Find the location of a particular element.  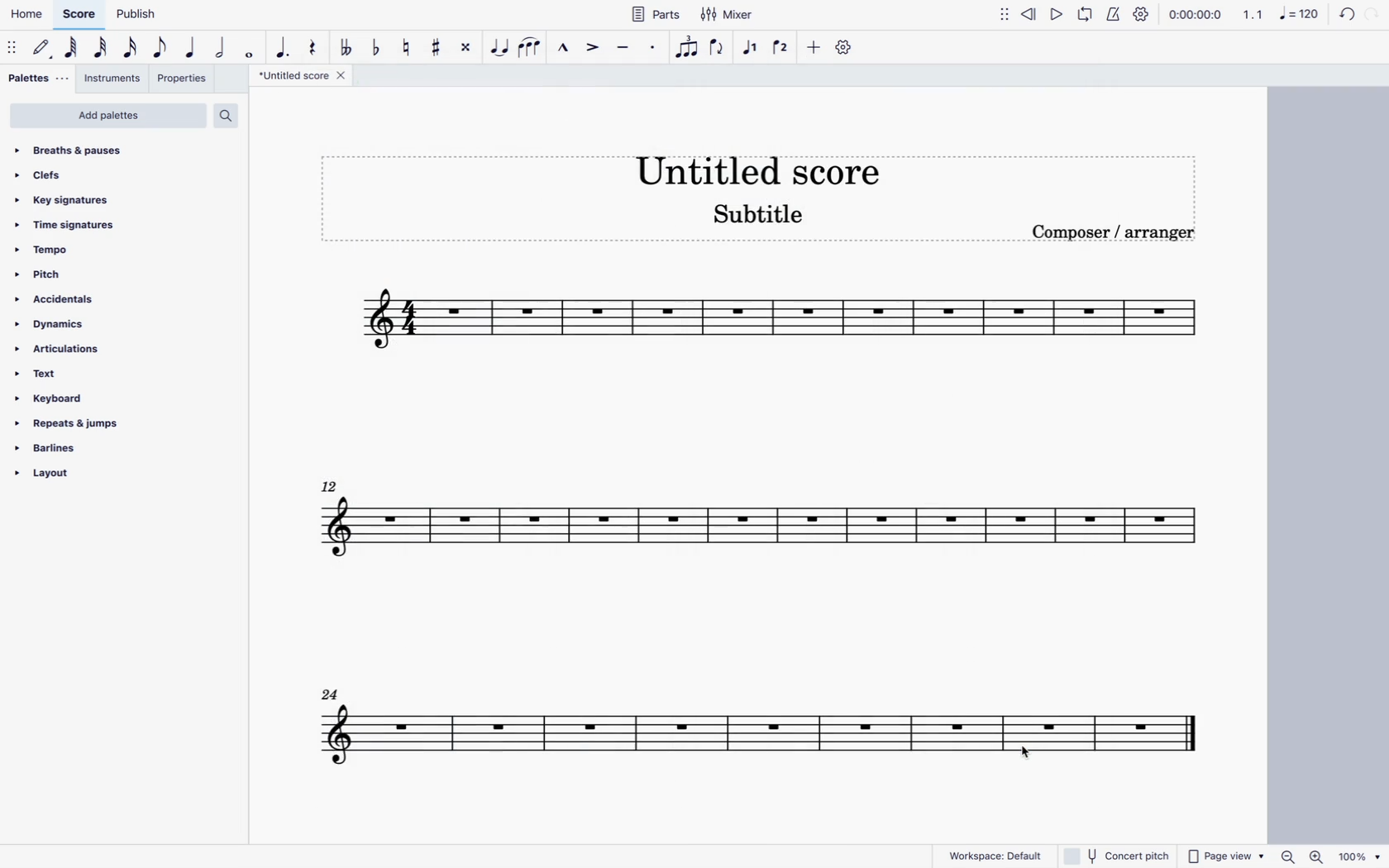

Parts is located at coordinates (657, 14).